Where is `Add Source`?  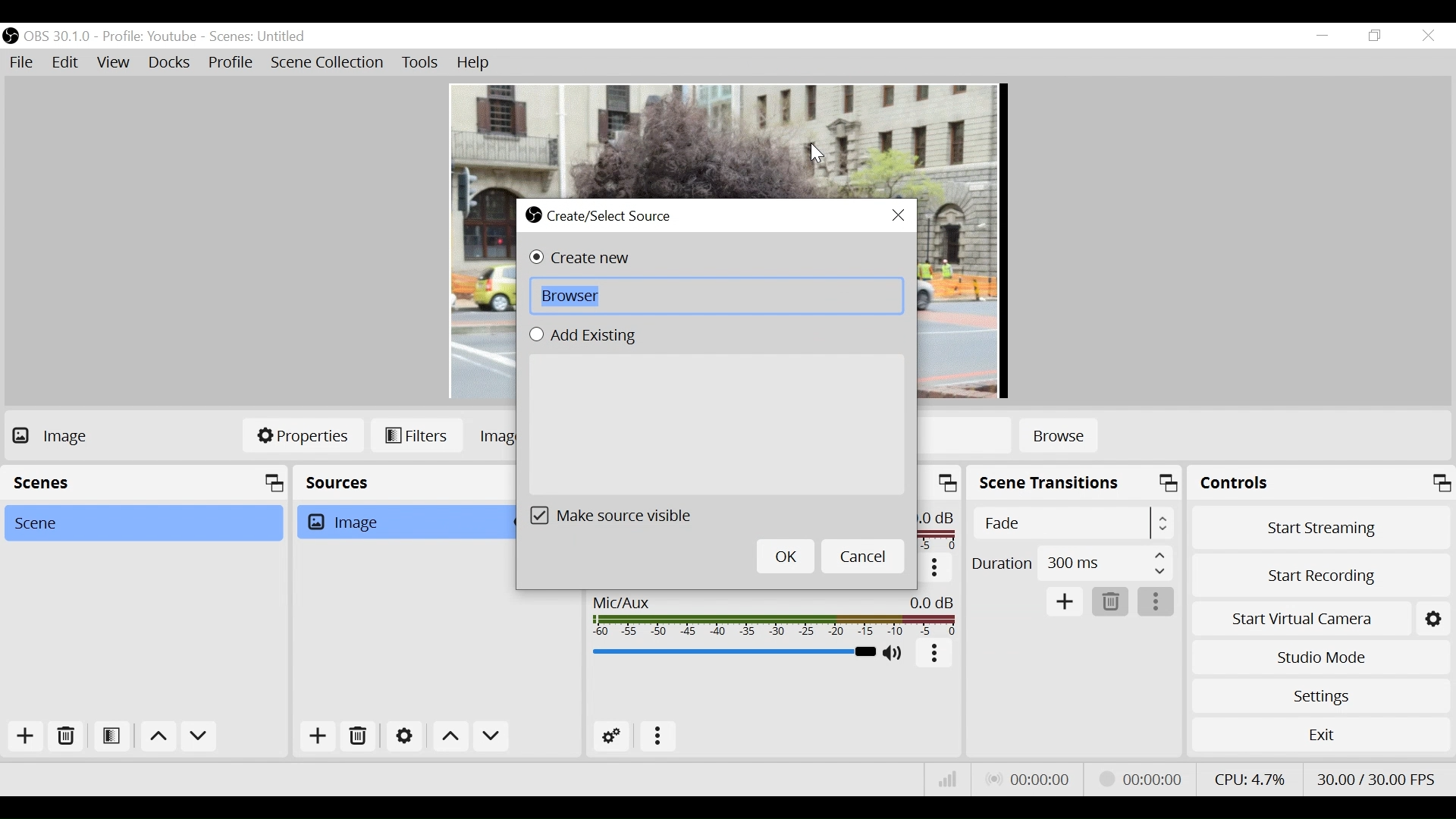
Add Source is located at coordinates (317, 738).